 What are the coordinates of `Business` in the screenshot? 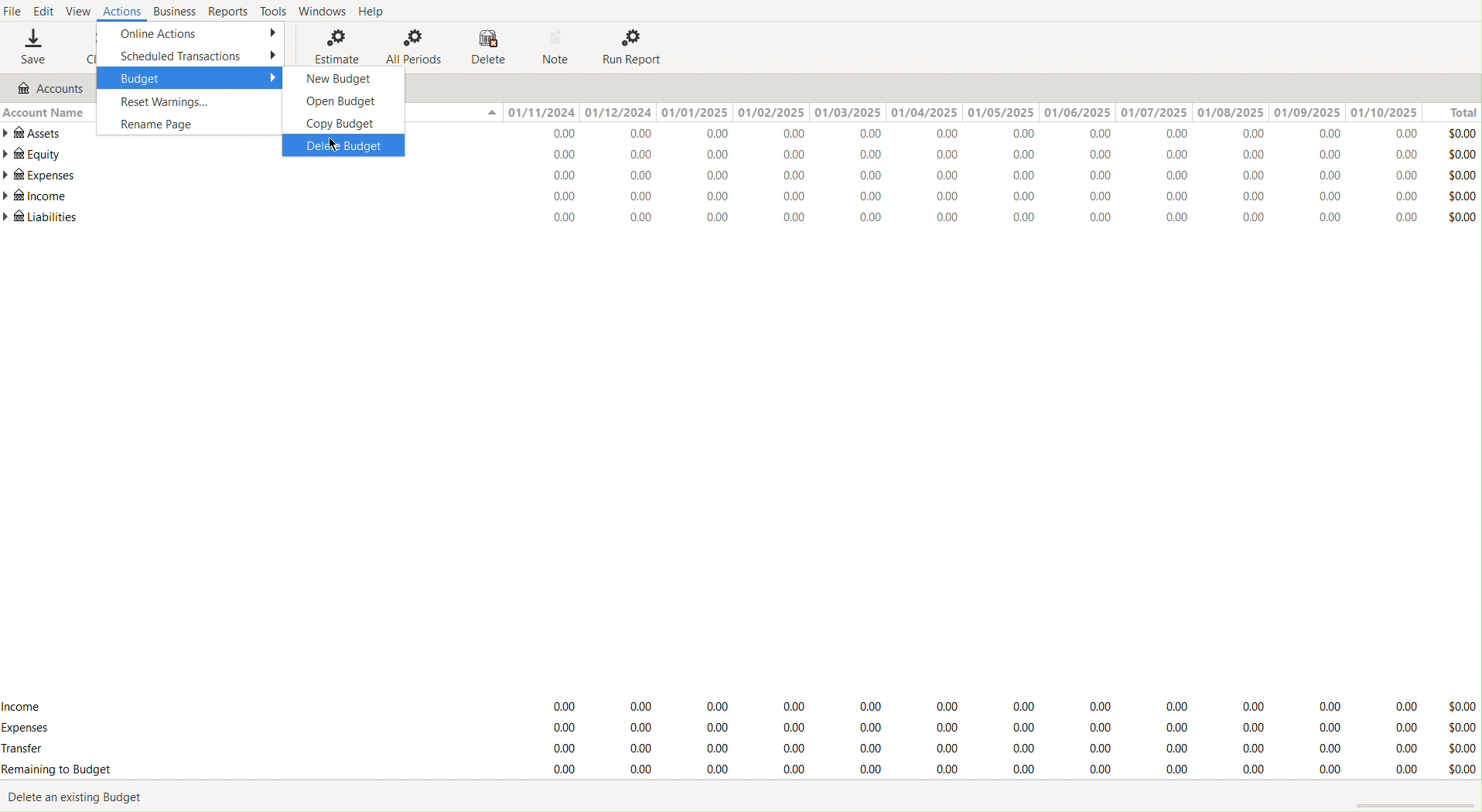 It's located at (176, 11).